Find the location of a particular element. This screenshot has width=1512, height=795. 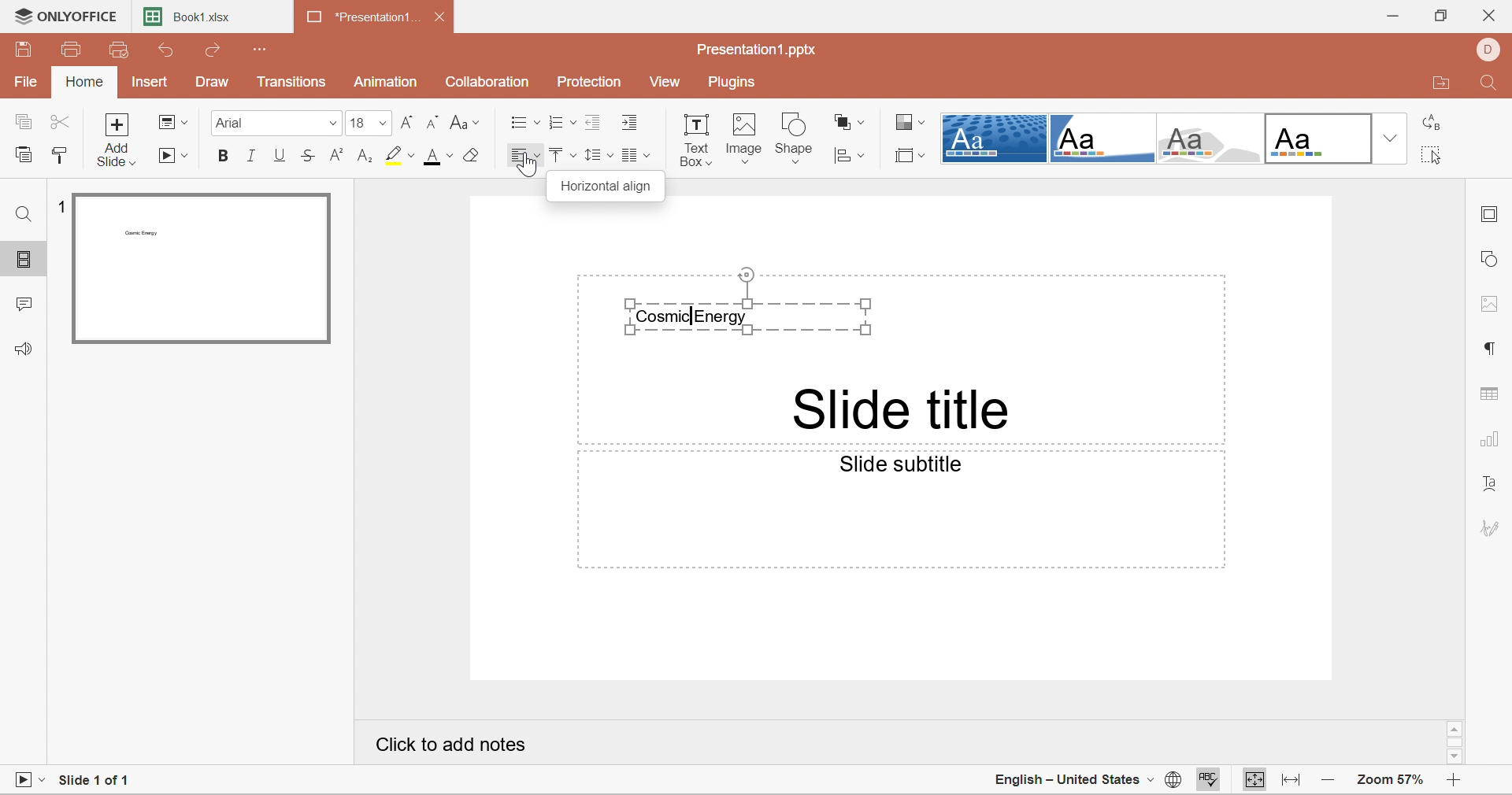

Close is located at coordinates (440, 18).